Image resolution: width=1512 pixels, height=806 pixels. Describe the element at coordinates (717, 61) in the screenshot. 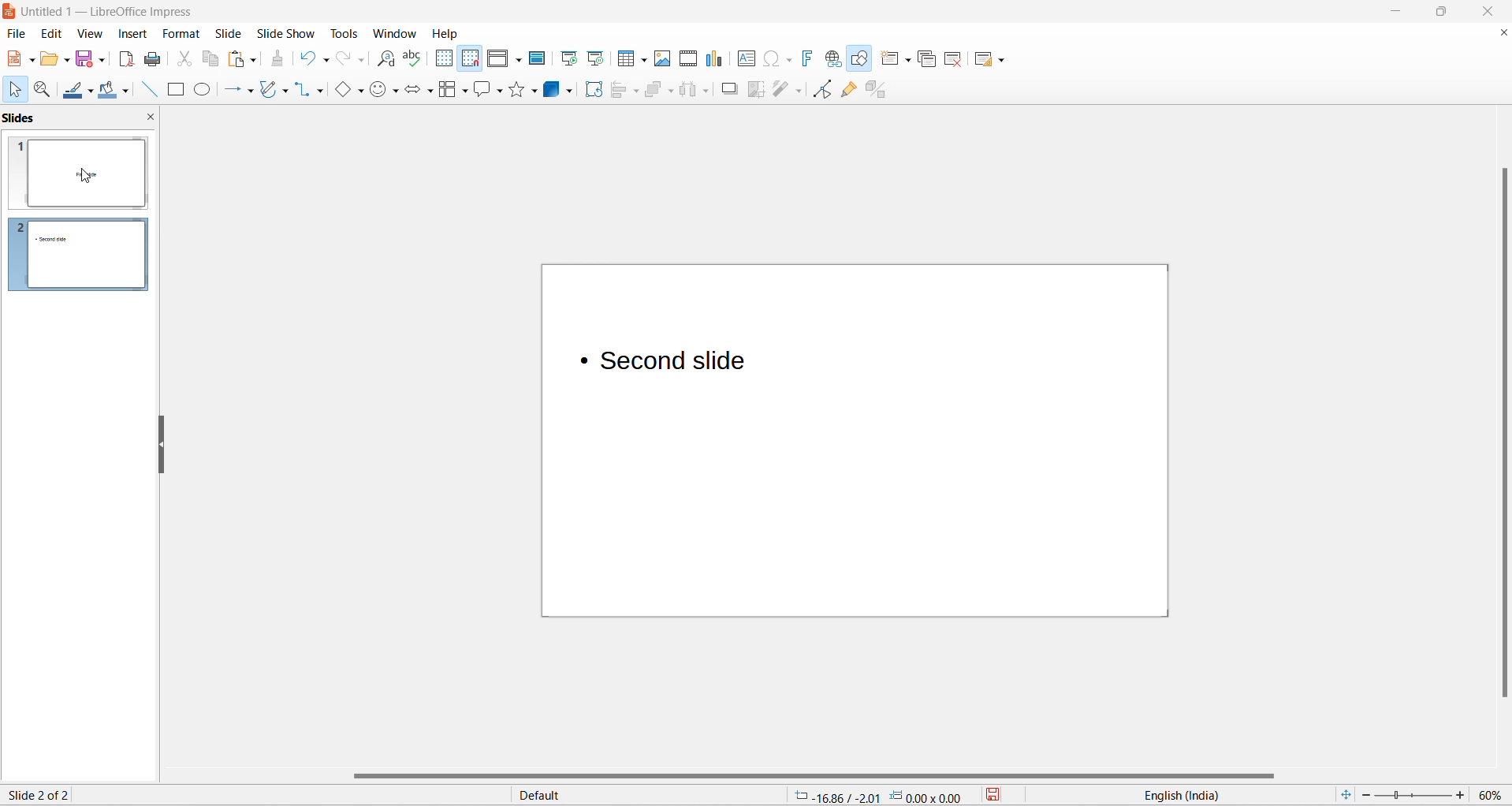

I see `insert charts` at that location.